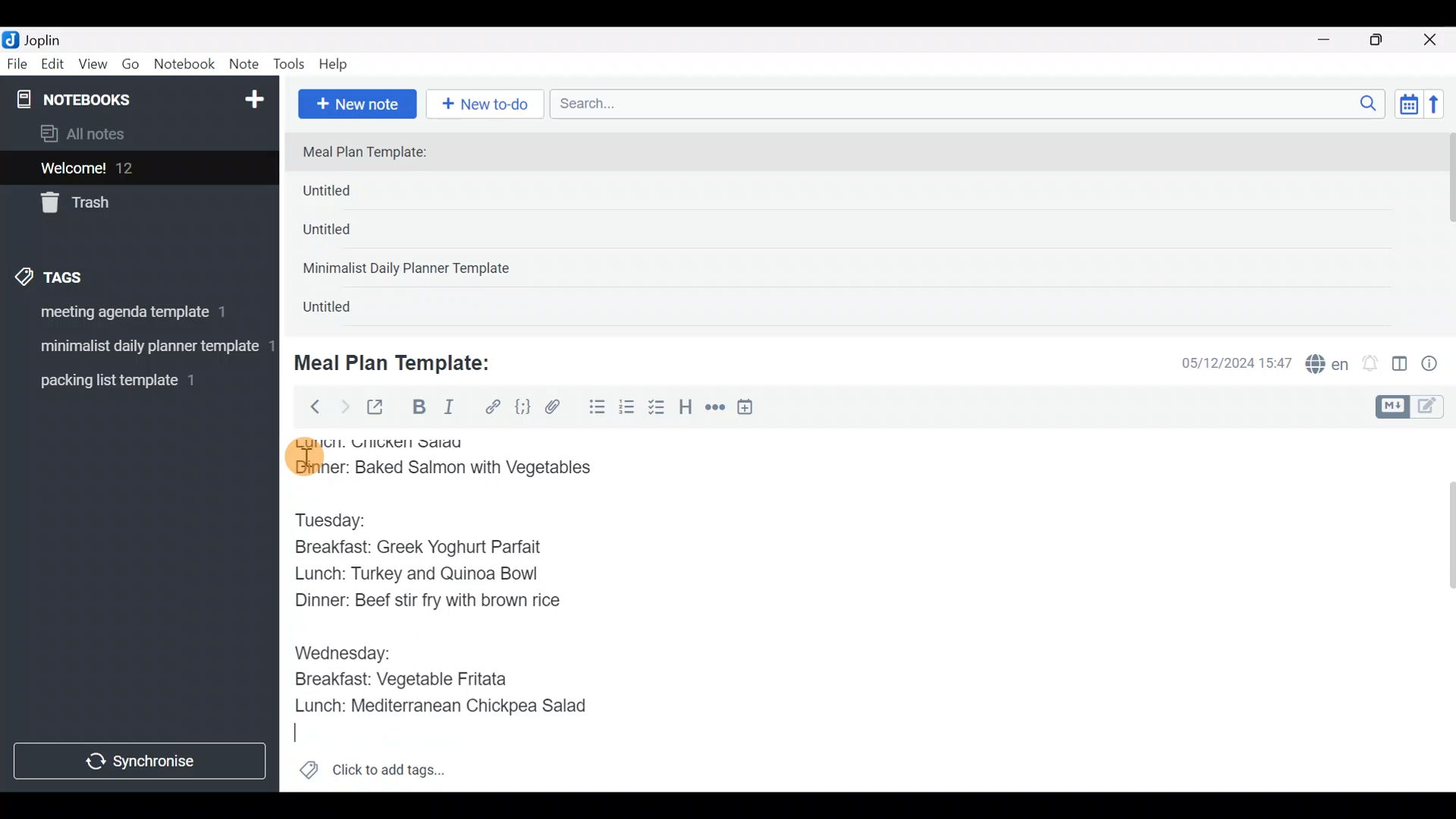 This screenshot has width=1456, height=819. Describe the element at coordinates (1371, 365) in the screenshot. I see `Set alarm` at that location.